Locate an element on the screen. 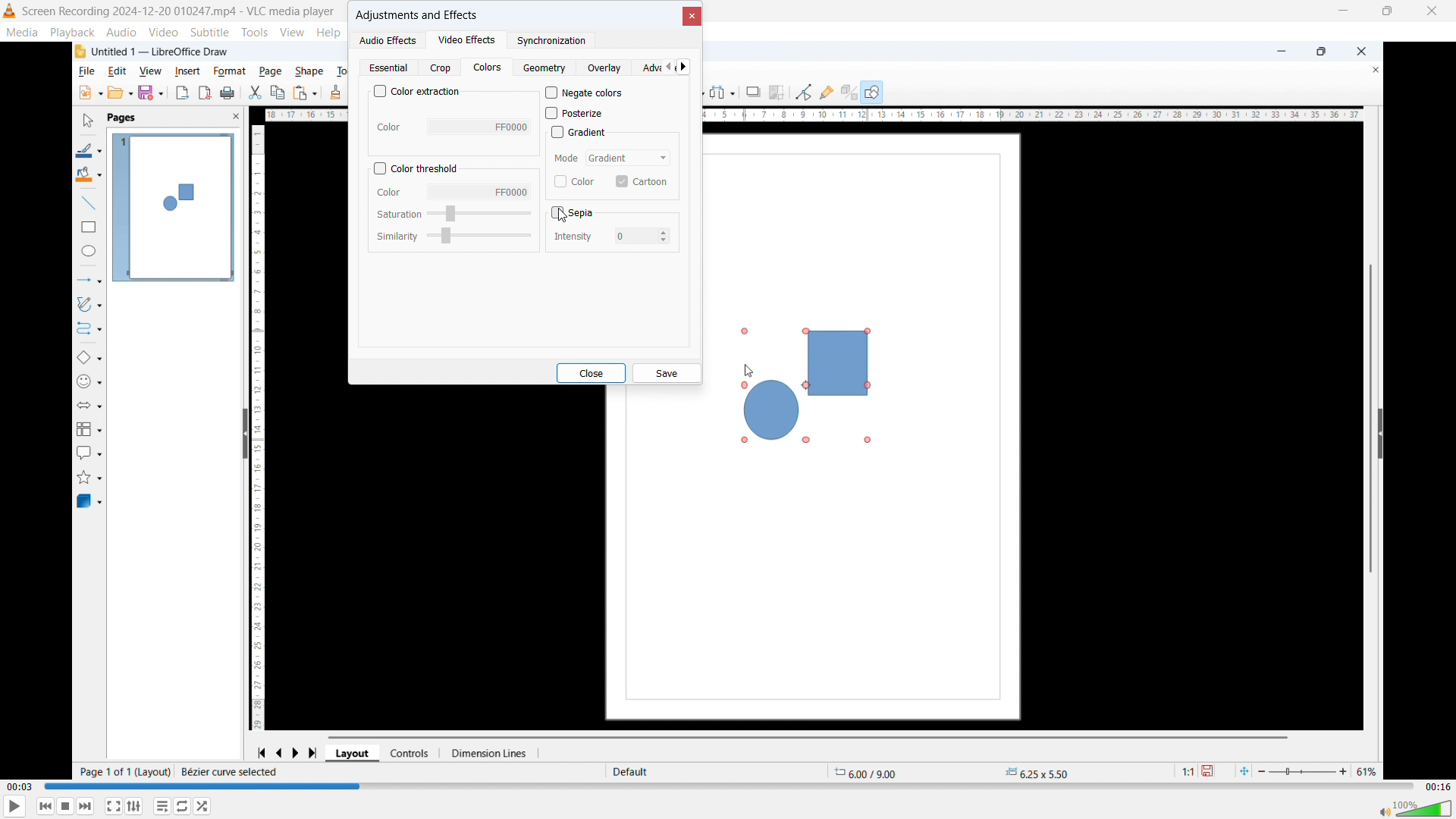 This screenshot has height=819, width=1456. help is located at coordinates (328, 33).